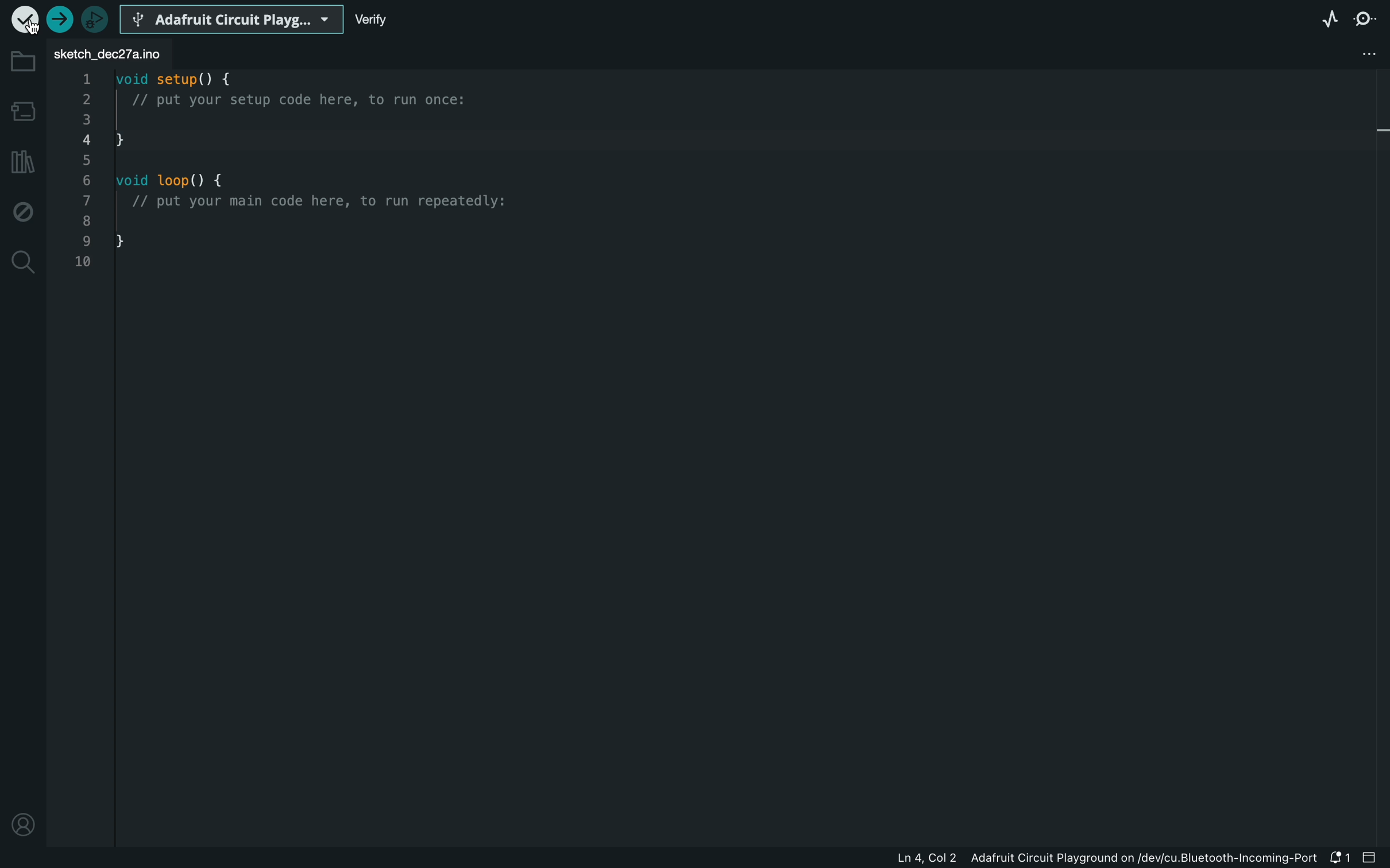 The height and width of the screenshot is (868, 1390). I want to click on folder, so click(24, 63).